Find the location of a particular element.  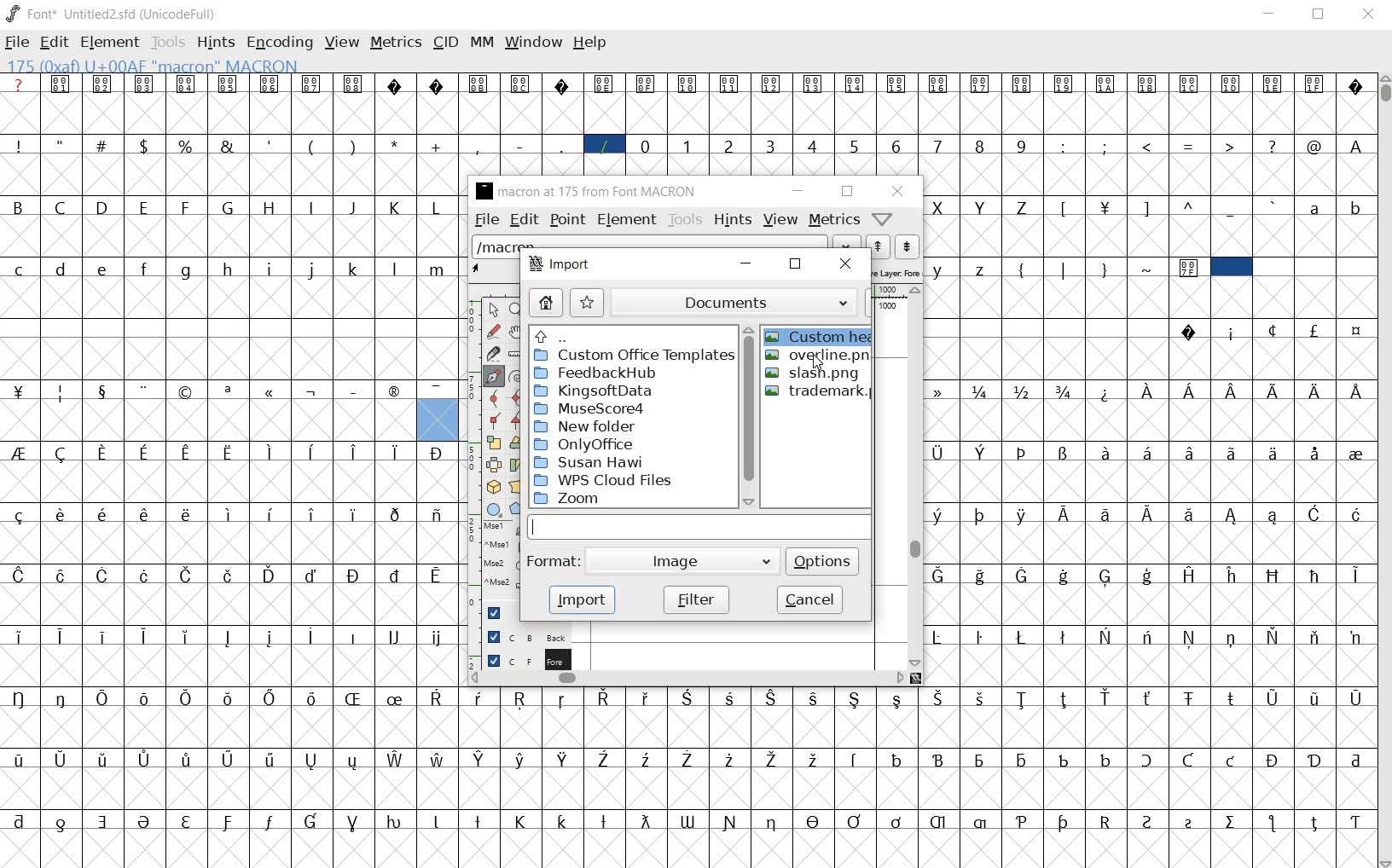

Symbol is located at coordinates (312, 84).